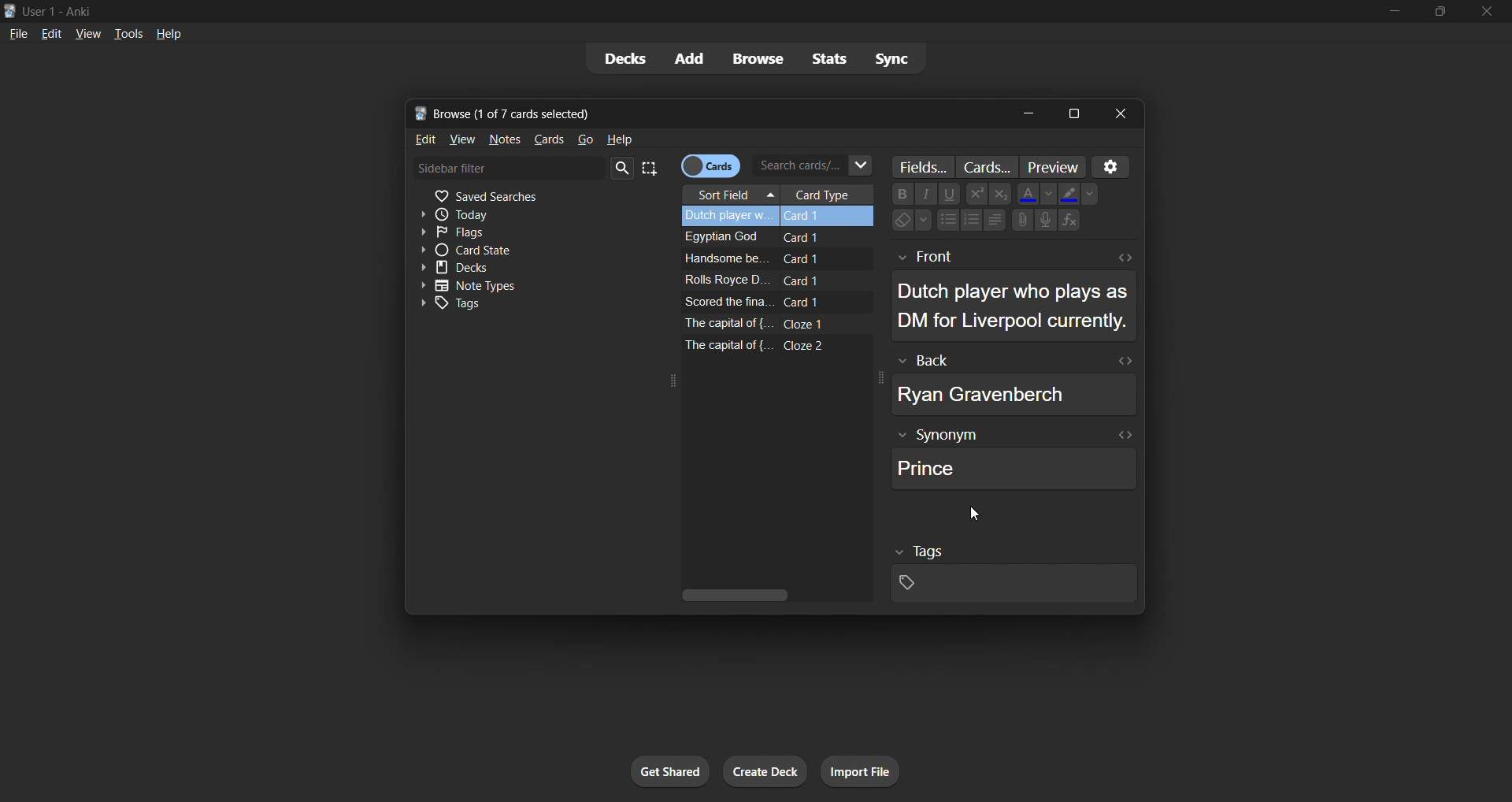 This screenshot has width=1512, height=802. What do you see at coordinates (505, 141) in the screenshot?
I see `notes` at bounding box center [505, 141].